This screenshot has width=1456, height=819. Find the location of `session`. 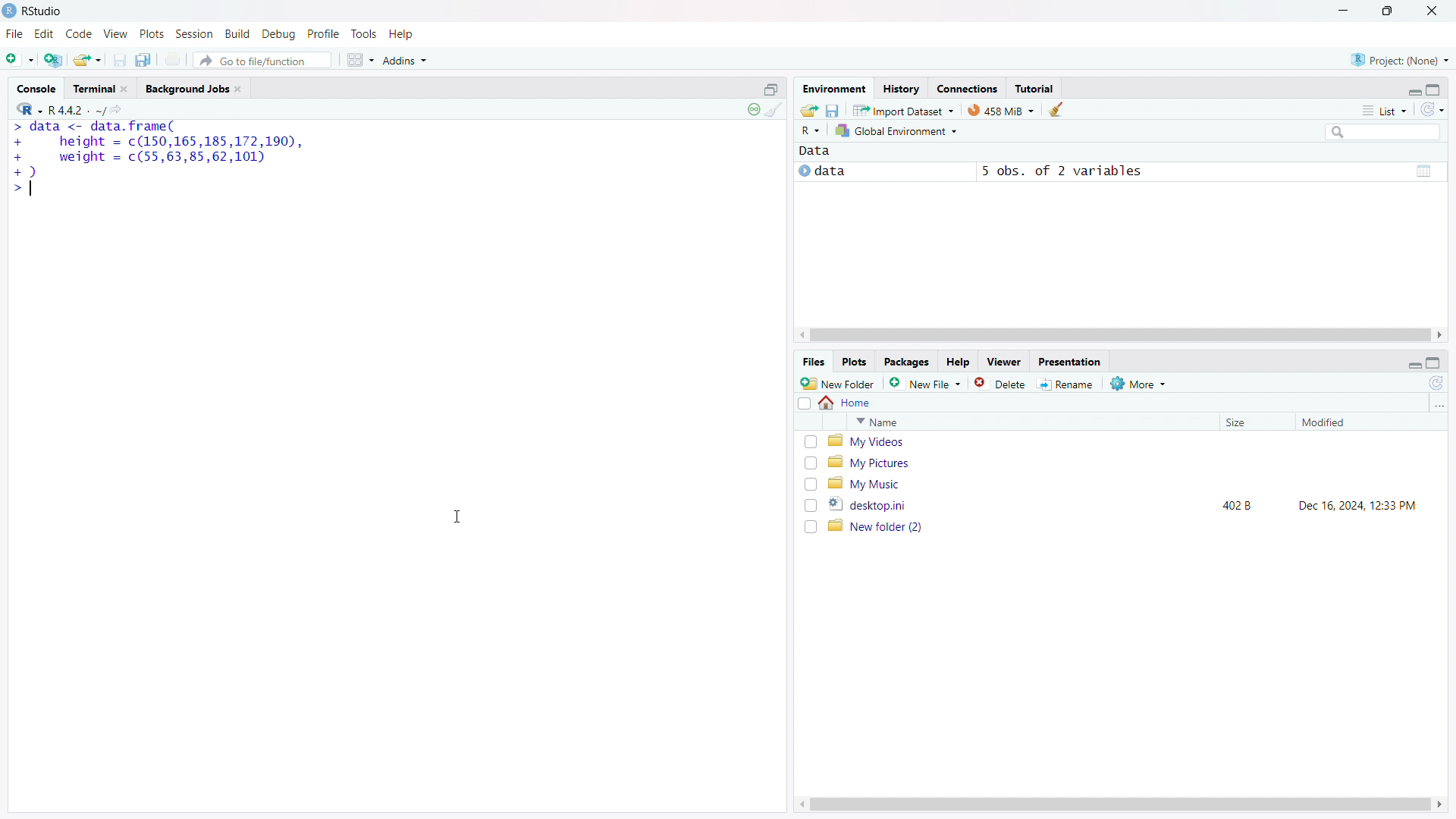

session is located at coordinates (194, 33).